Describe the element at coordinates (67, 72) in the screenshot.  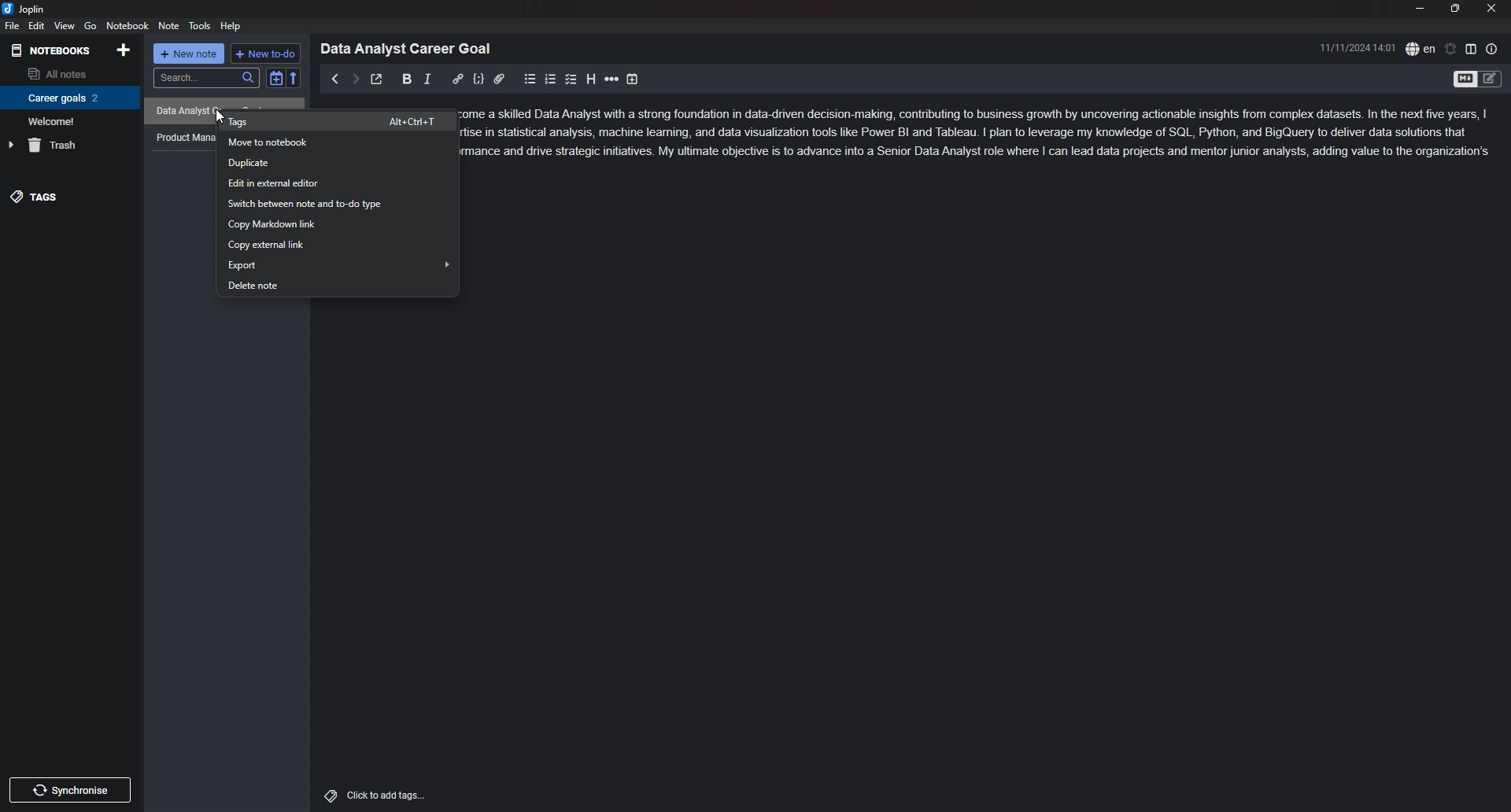
I see `all notes` at that location.